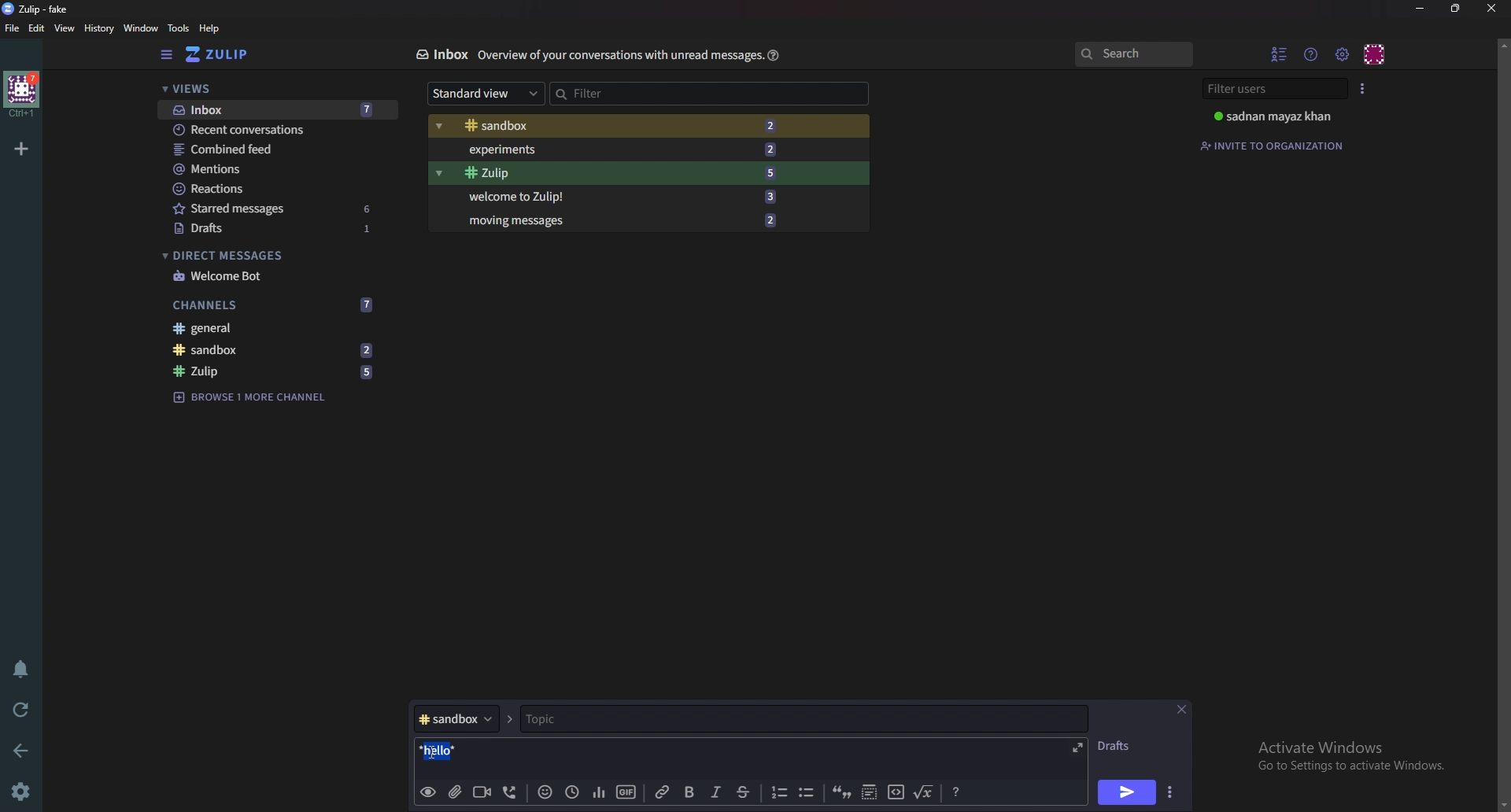 Image resolution: width=1511 pixels, height=812 pixels. What do you see at coordinates (254, 397) in the screenshot?
I see `Browse 1 more channel` at bounding box center [254, 397].